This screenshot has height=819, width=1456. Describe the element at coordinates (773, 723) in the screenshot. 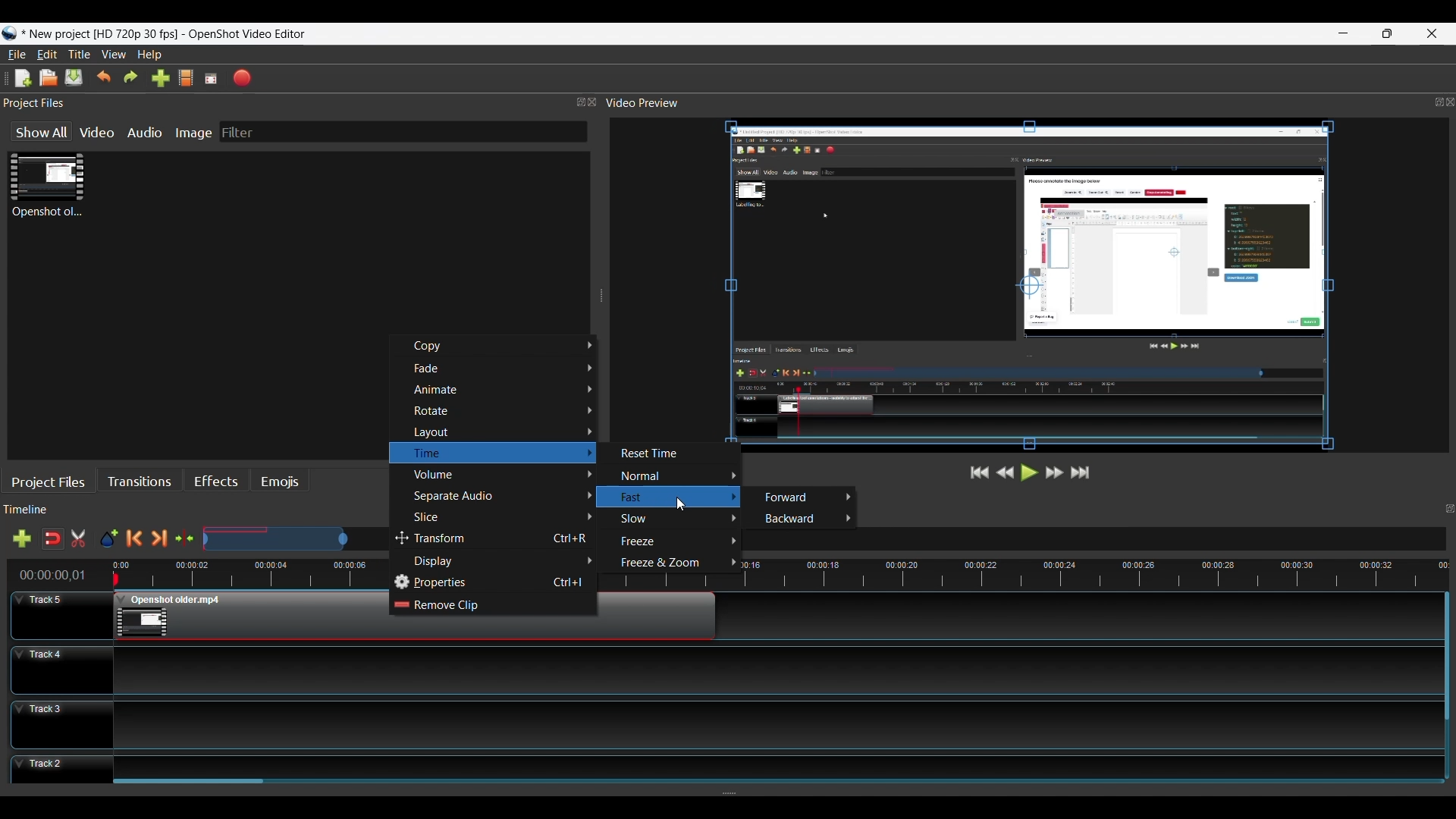

I see `Track Panel` at that location.